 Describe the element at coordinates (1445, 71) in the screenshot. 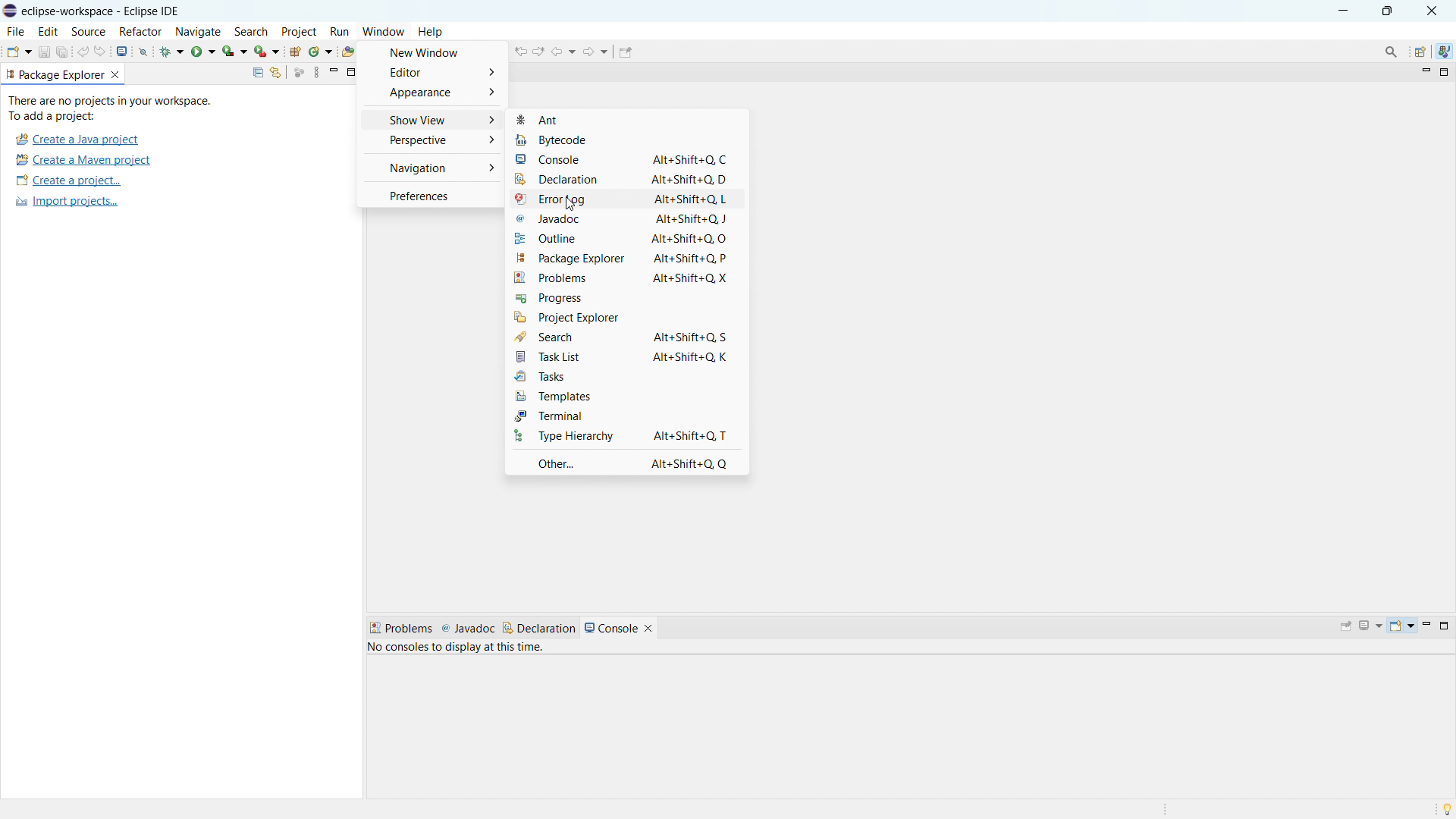

I see `maximize` at that location.